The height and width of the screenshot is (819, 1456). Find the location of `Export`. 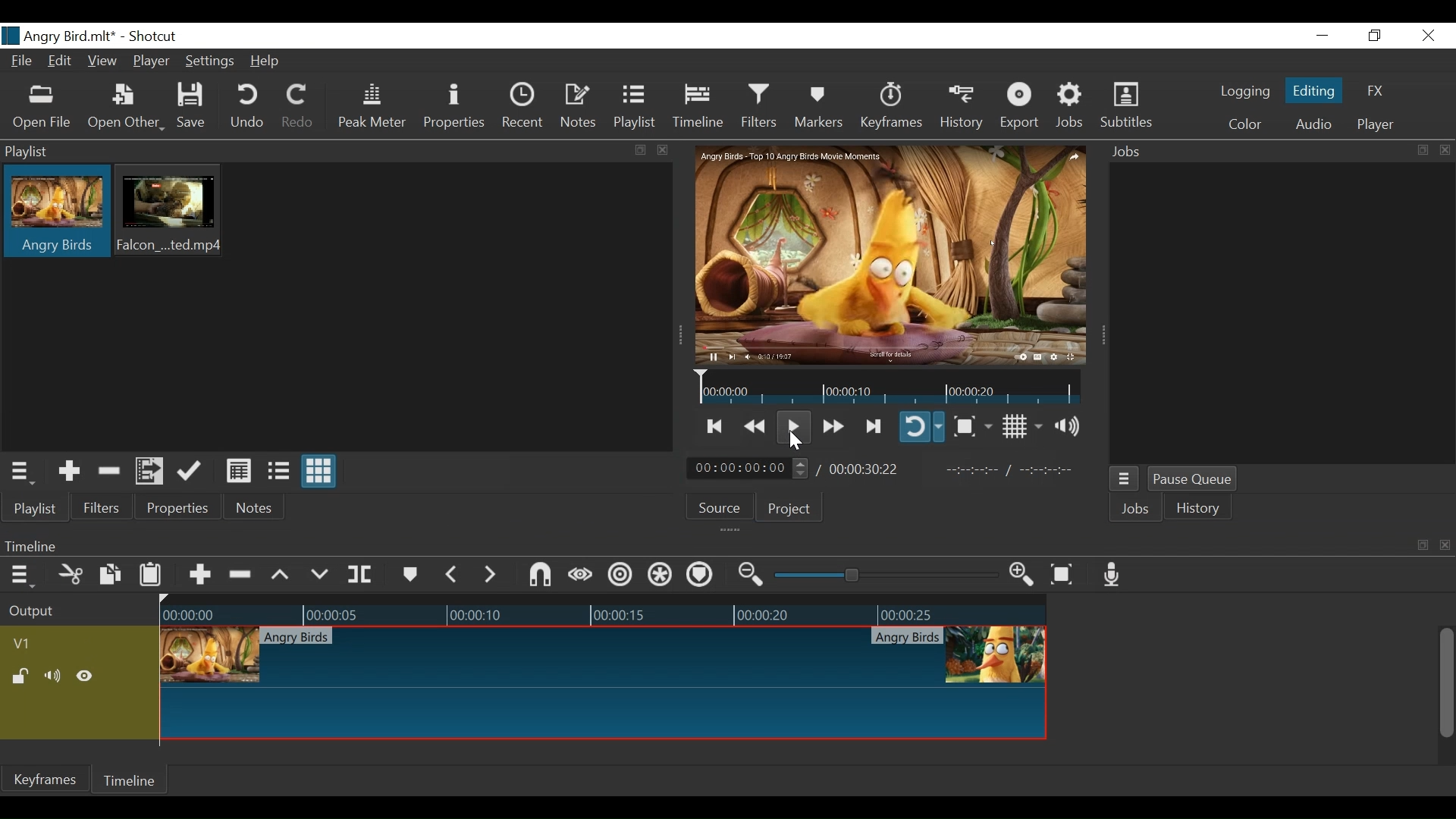

Export is located at coordinates (1023, 108).